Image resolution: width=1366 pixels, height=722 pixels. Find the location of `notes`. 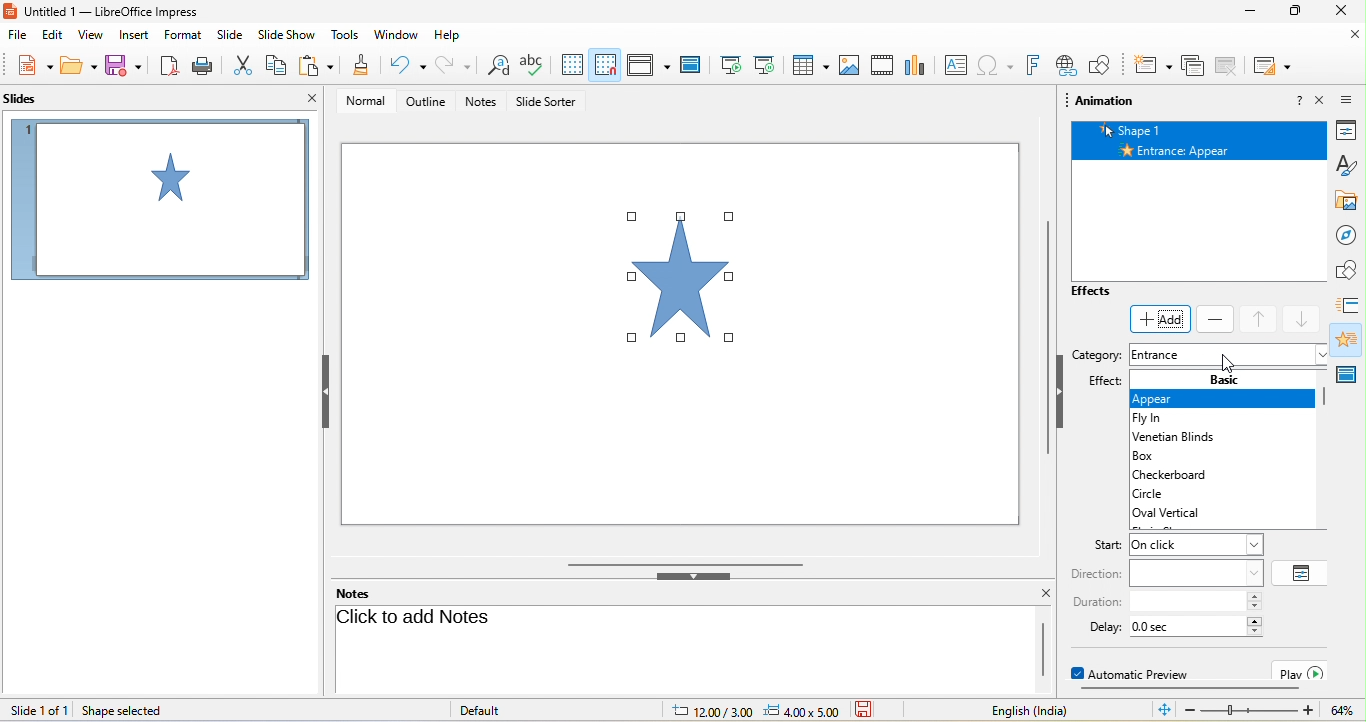

notes is located at coordinates (356, 593).